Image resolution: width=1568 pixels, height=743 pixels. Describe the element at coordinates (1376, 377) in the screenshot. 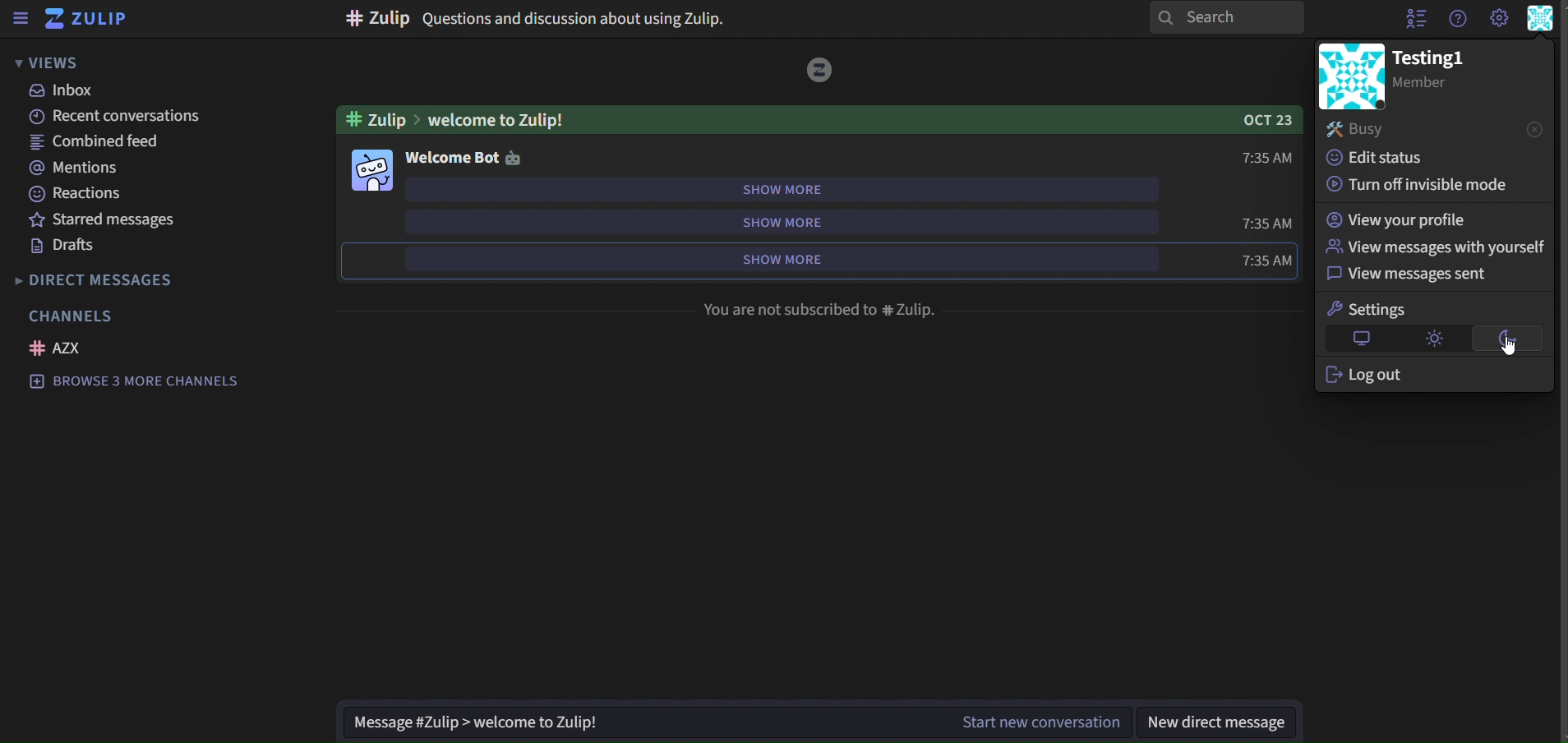

I see `log out` at that location.